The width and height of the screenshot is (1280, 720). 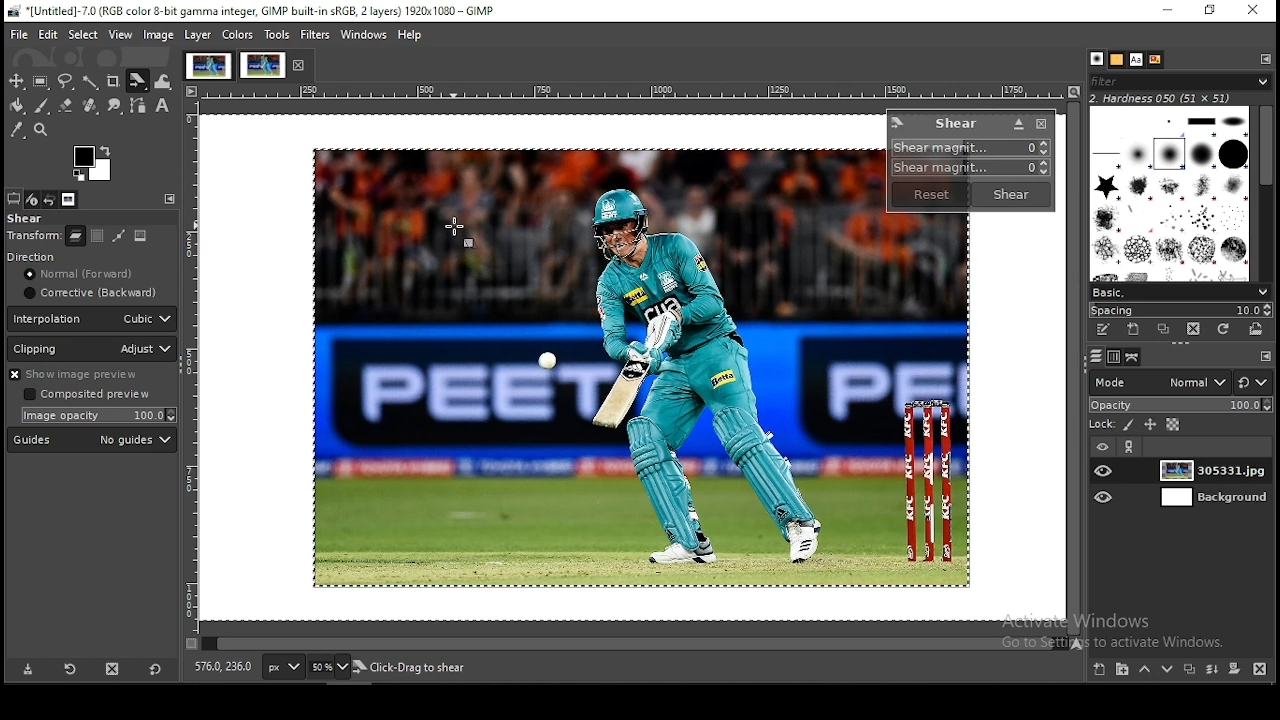 I want to click on heal tool, so click(x=91, y=106).